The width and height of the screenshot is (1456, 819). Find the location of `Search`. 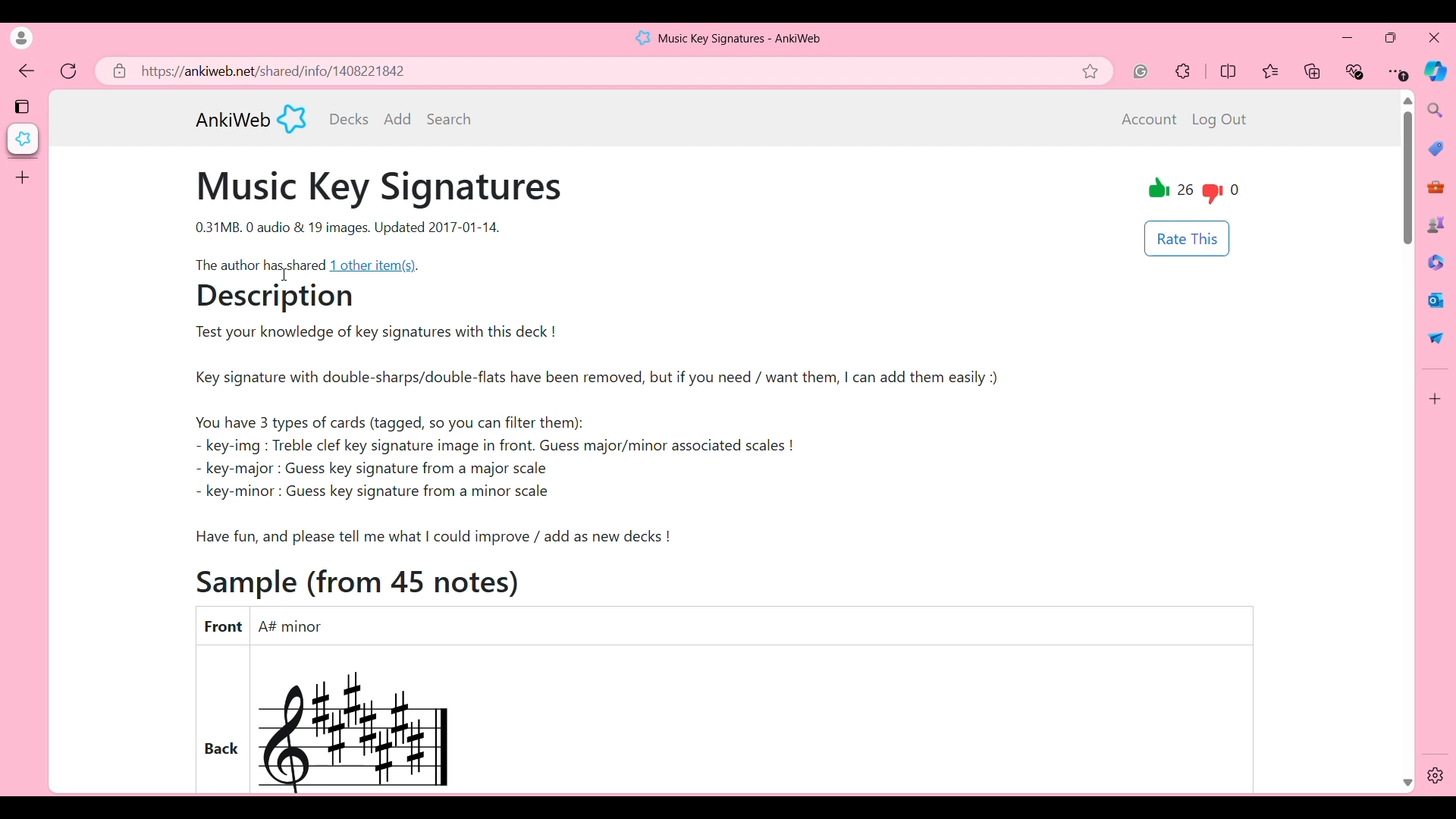

Search is located at coordinates (1436, 110).